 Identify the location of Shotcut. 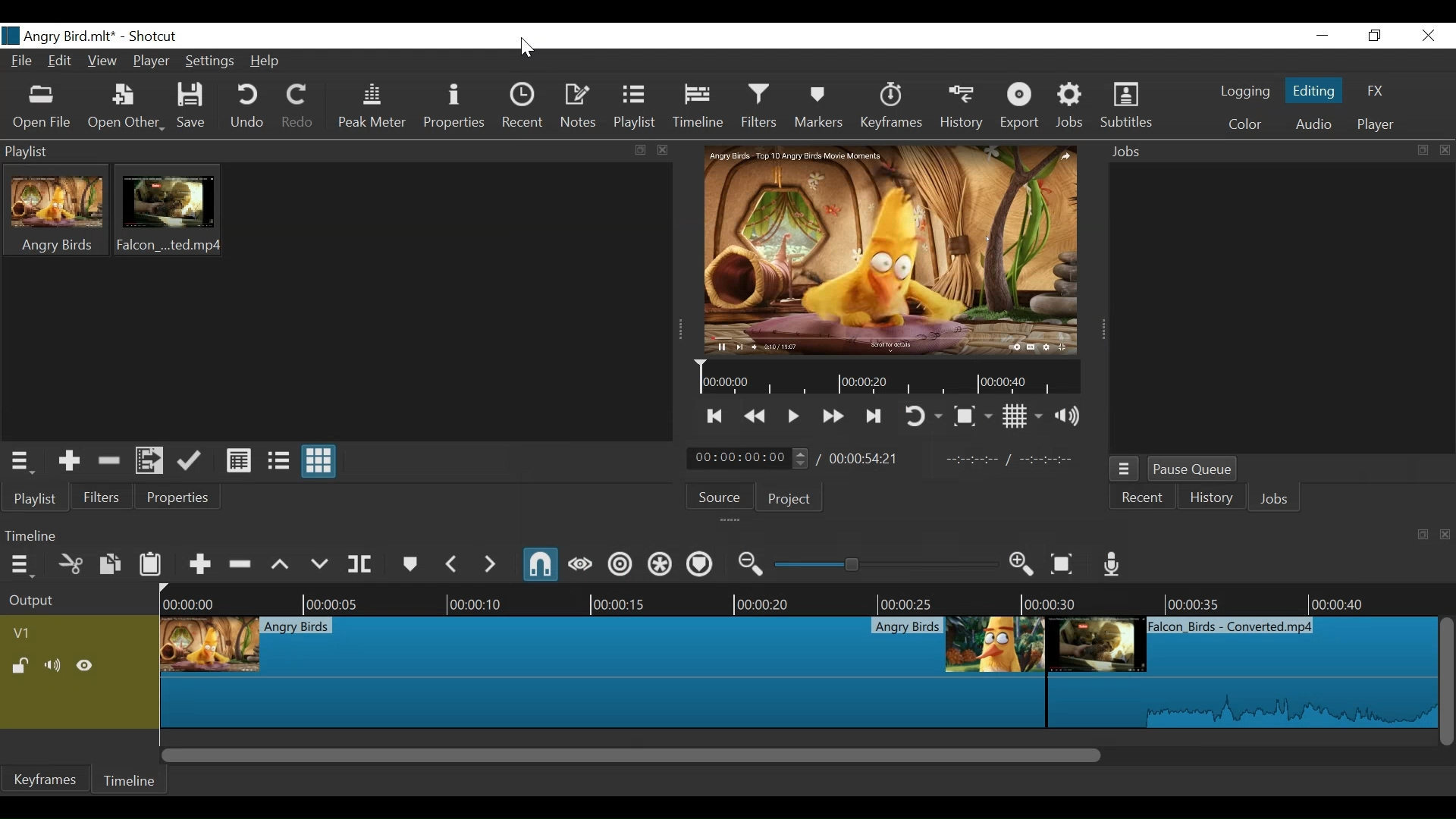
(157, 37).